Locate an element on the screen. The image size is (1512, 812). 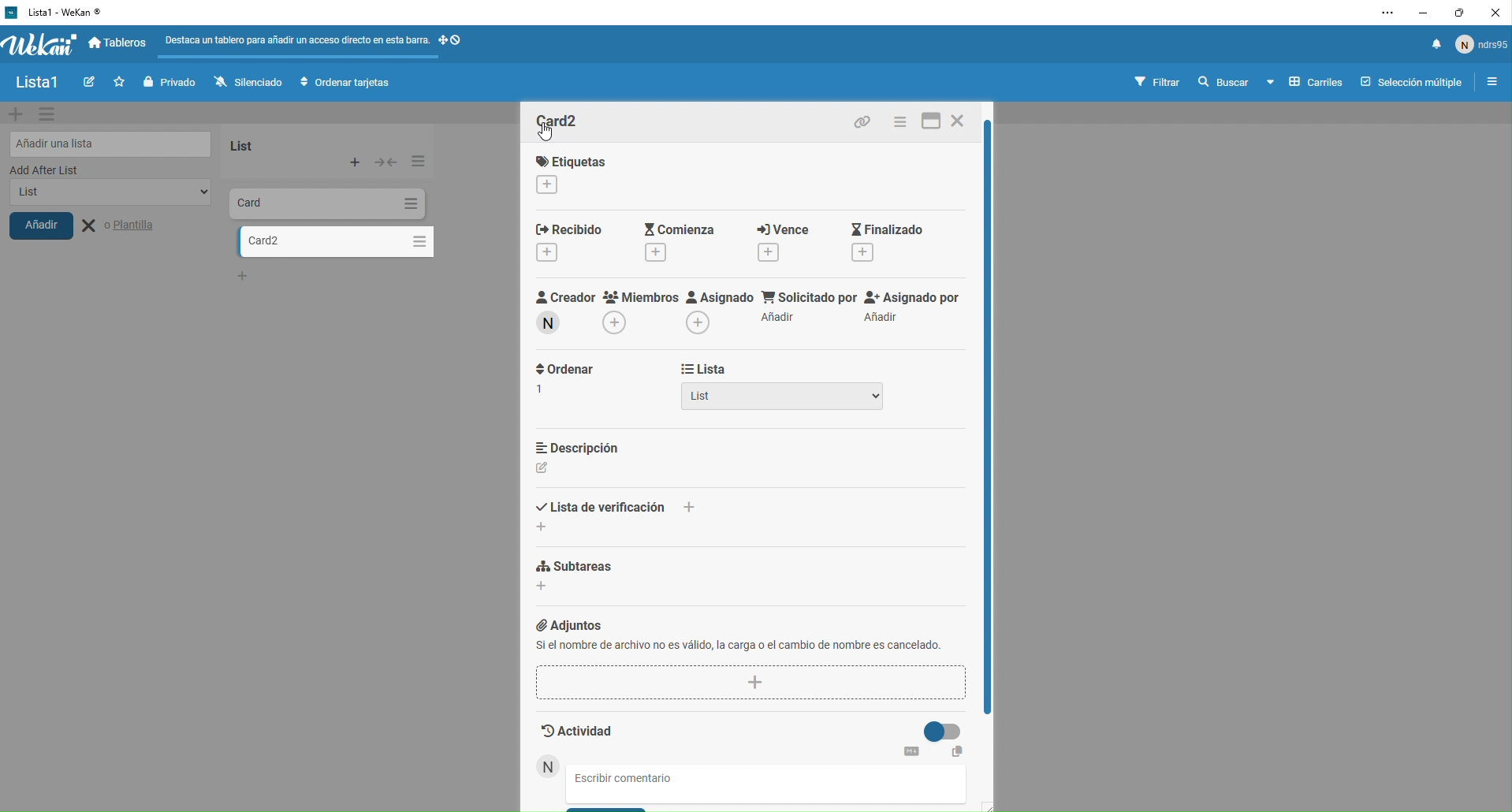
ordenar tarjetas is located at coordinates (348, 84).